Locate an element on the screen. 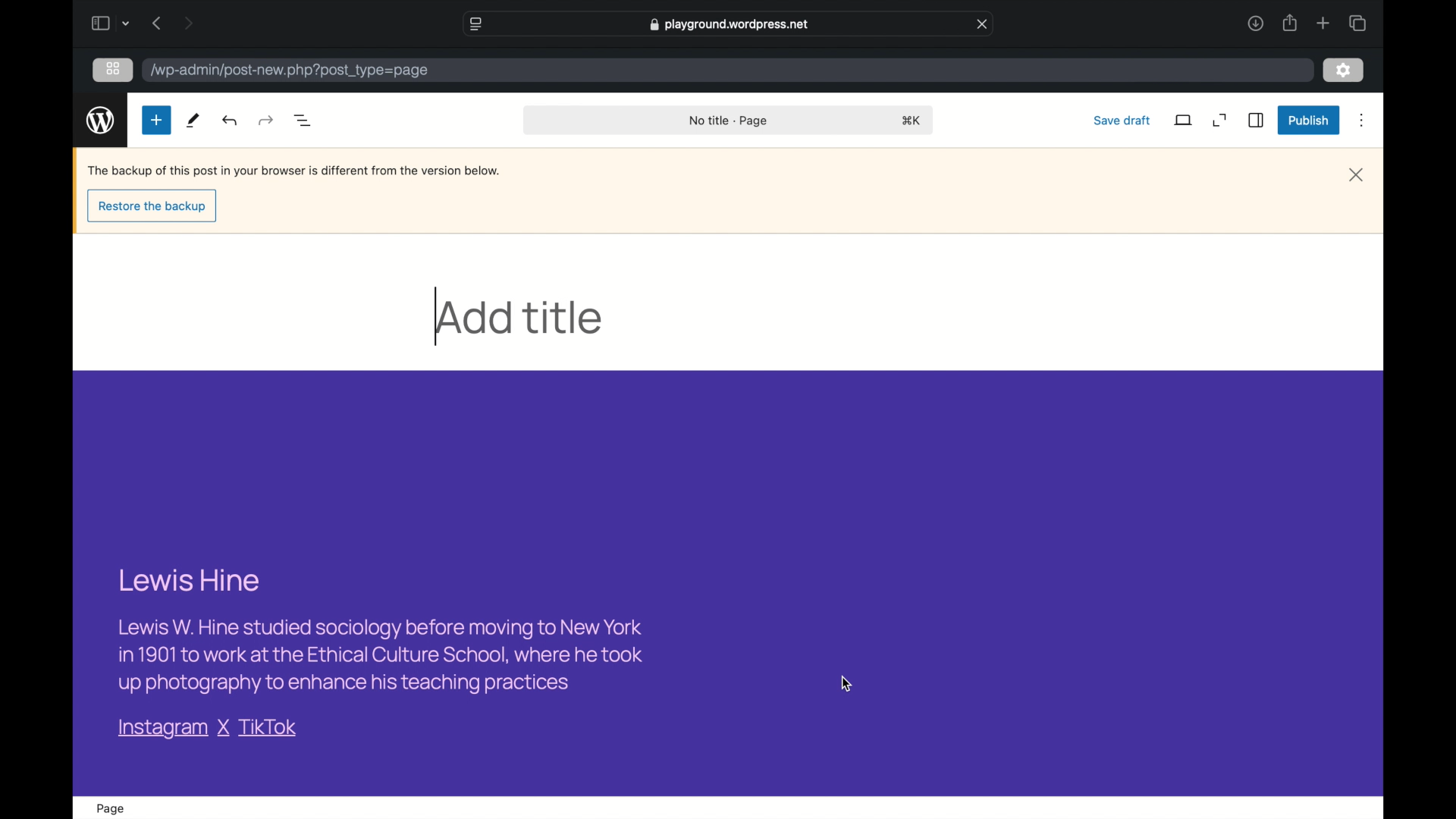 The image size is (1456, 819). undo is located at coordinates (265, 121).